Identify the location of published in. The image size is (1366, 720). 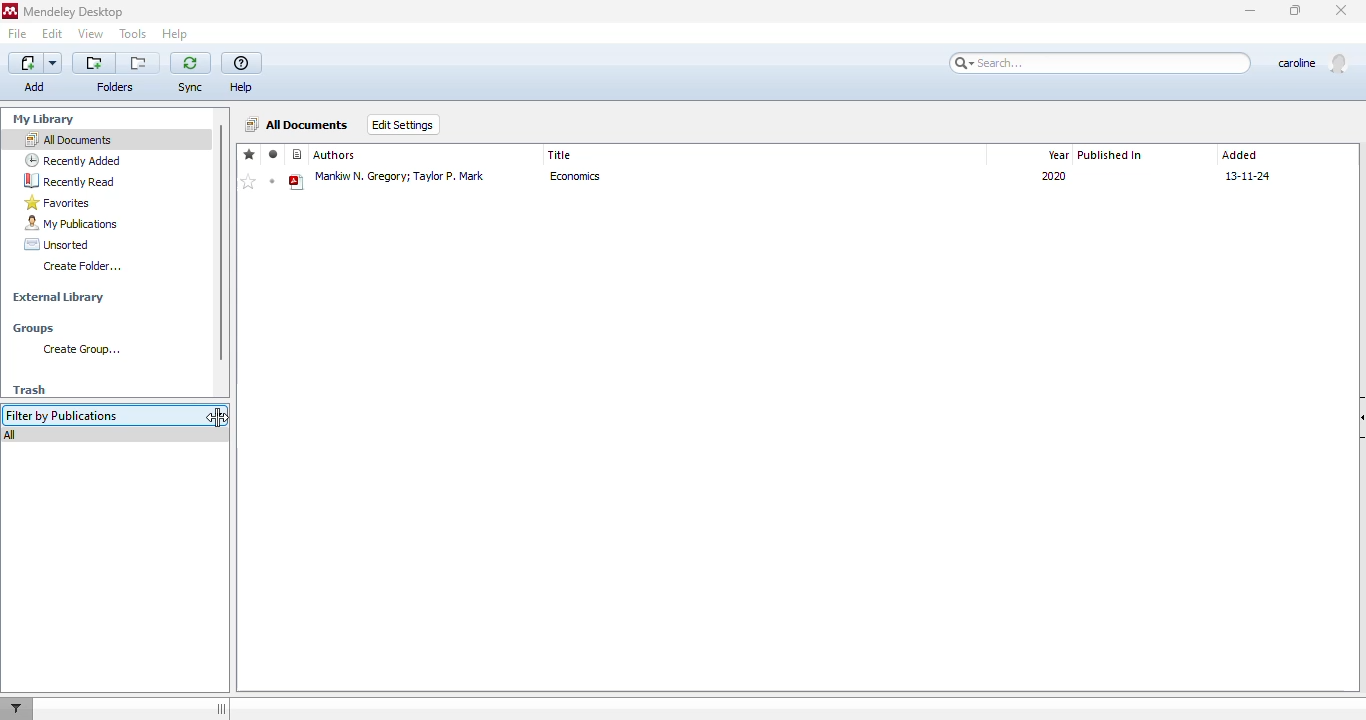
(1111, 155).